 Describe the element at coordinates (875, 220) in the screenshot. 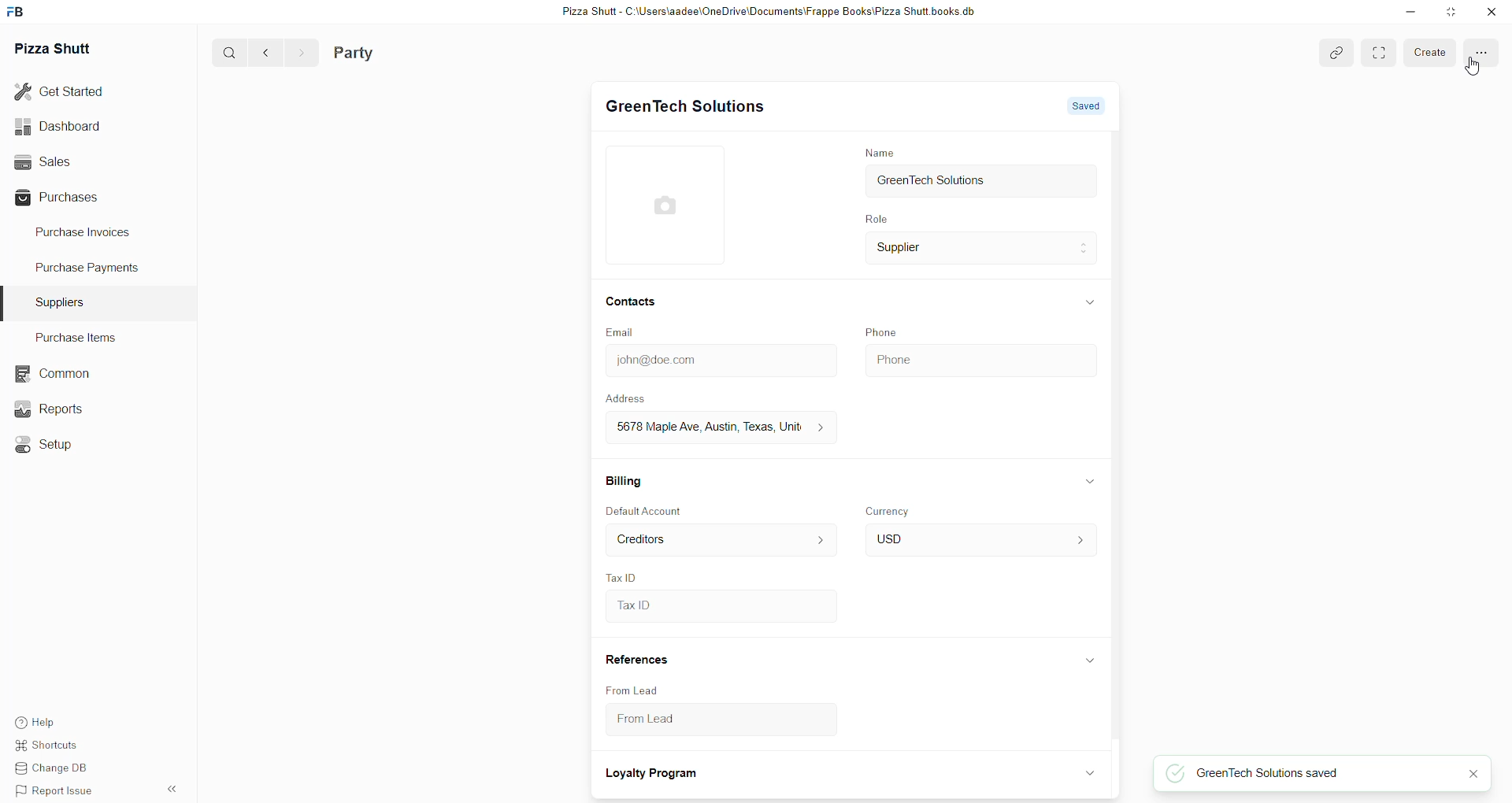

I see `Role` at that location.